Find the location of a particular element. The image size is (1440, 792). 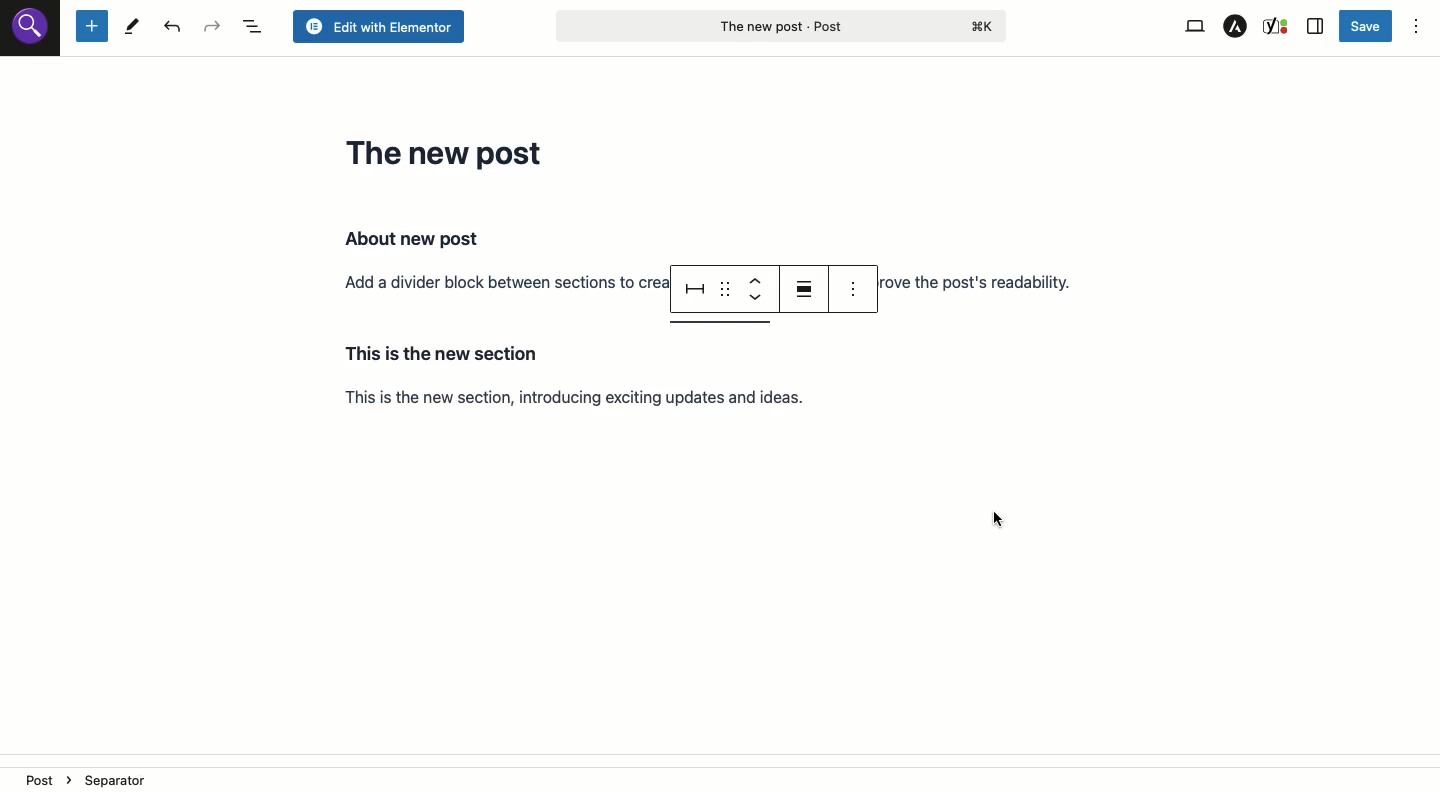

Move up down is located at coordinates (755, 290).